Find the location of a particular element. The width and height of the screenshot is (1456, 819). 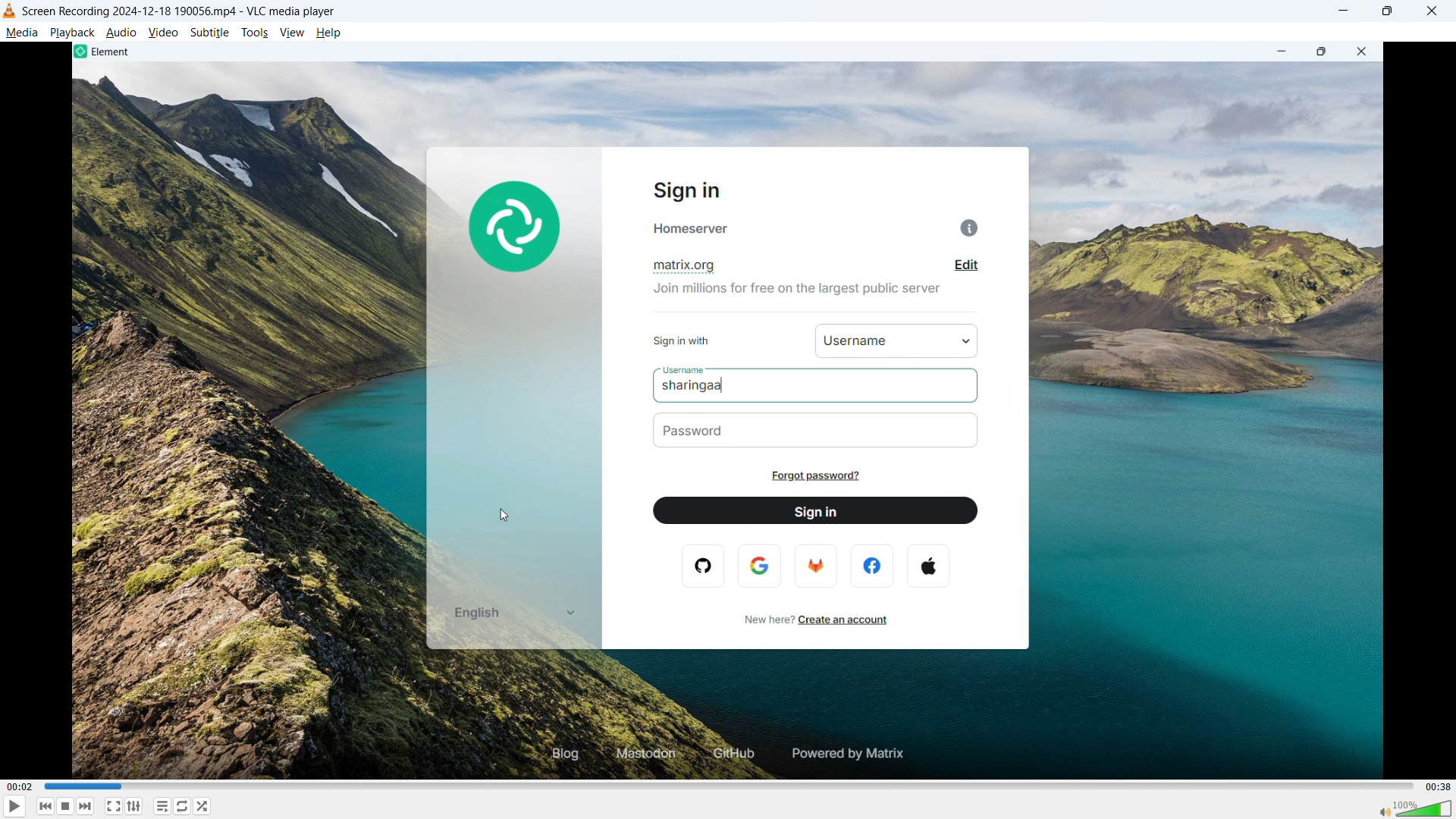

Password is located at coordinates (707, 431).